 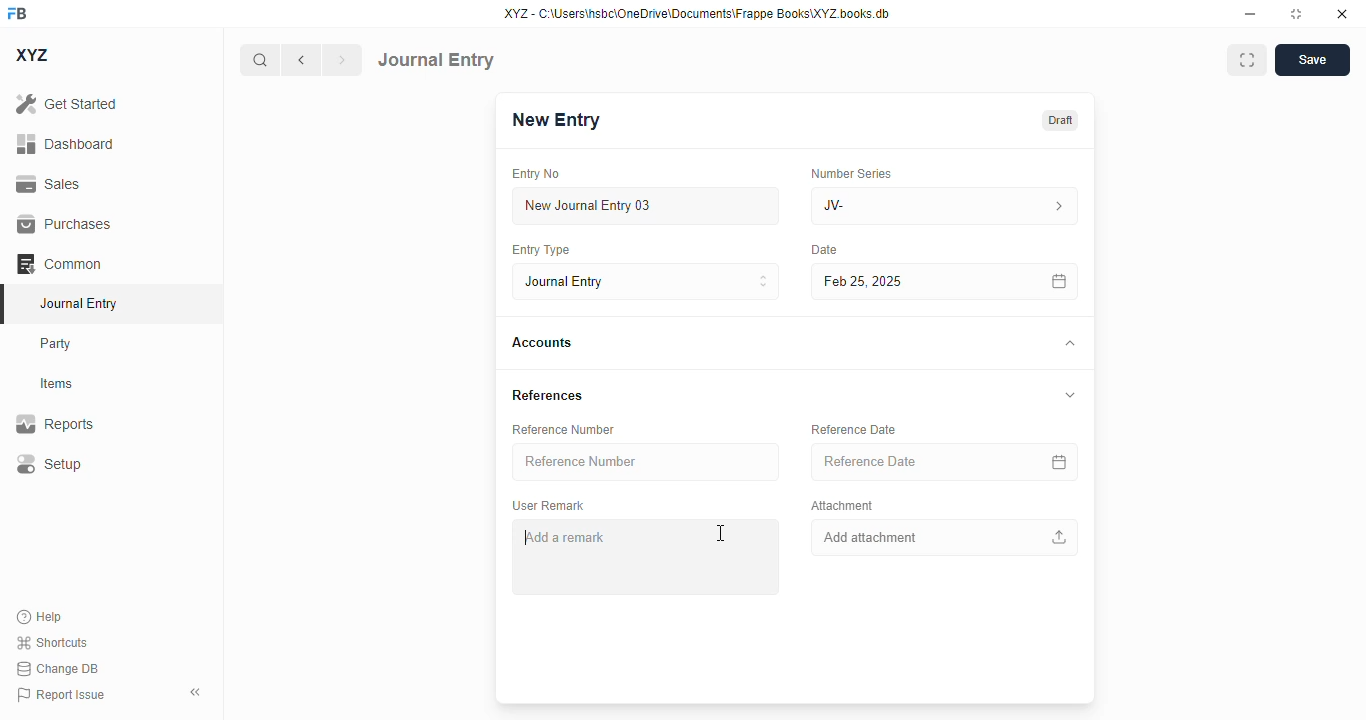 What do you see at coordinates (548, 505) in the screenshot?
I see `user remark` at bounding box center [548, 505].